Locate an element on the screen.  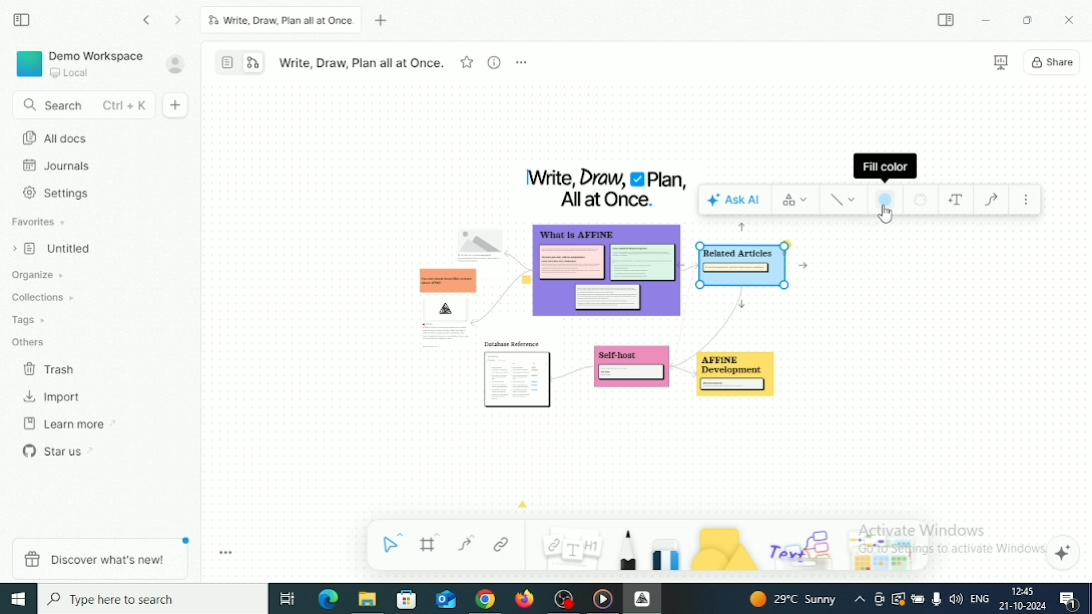
Go back is located at coordinates (148, 20).